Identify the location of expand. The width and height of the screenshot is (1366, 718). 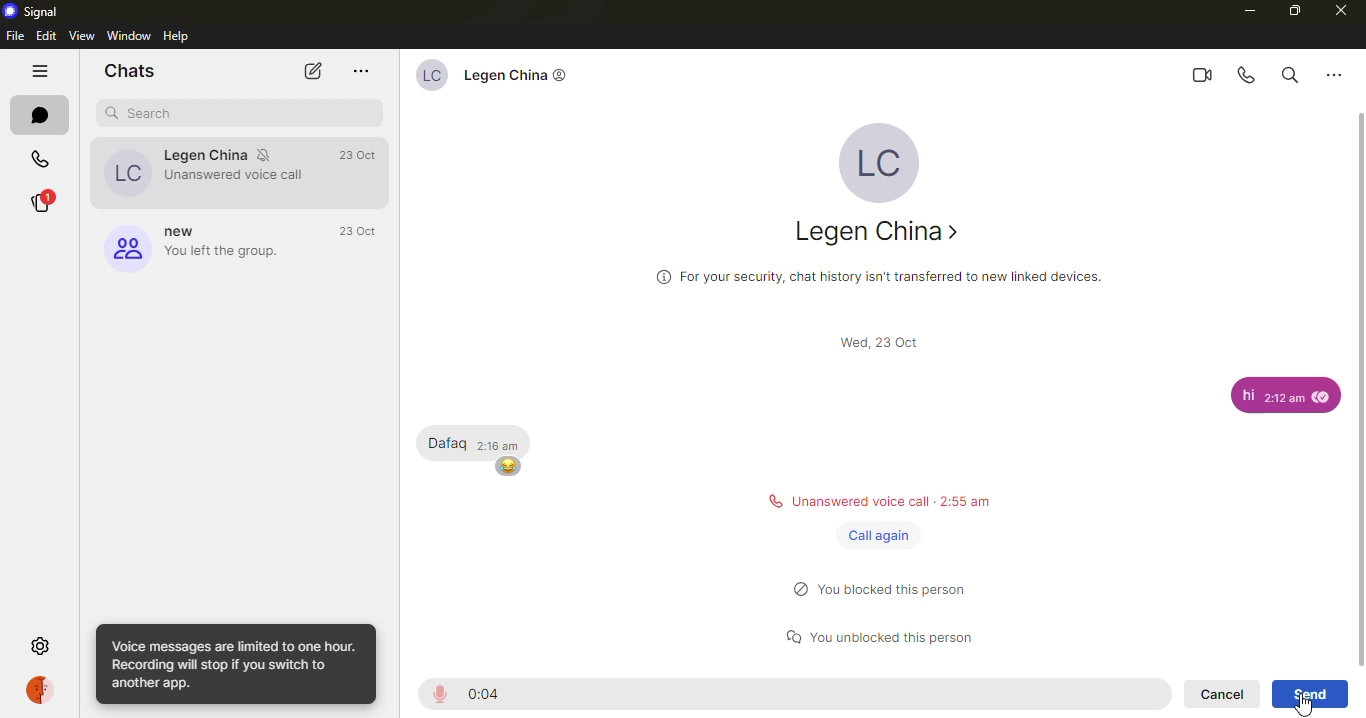
(882, 660).